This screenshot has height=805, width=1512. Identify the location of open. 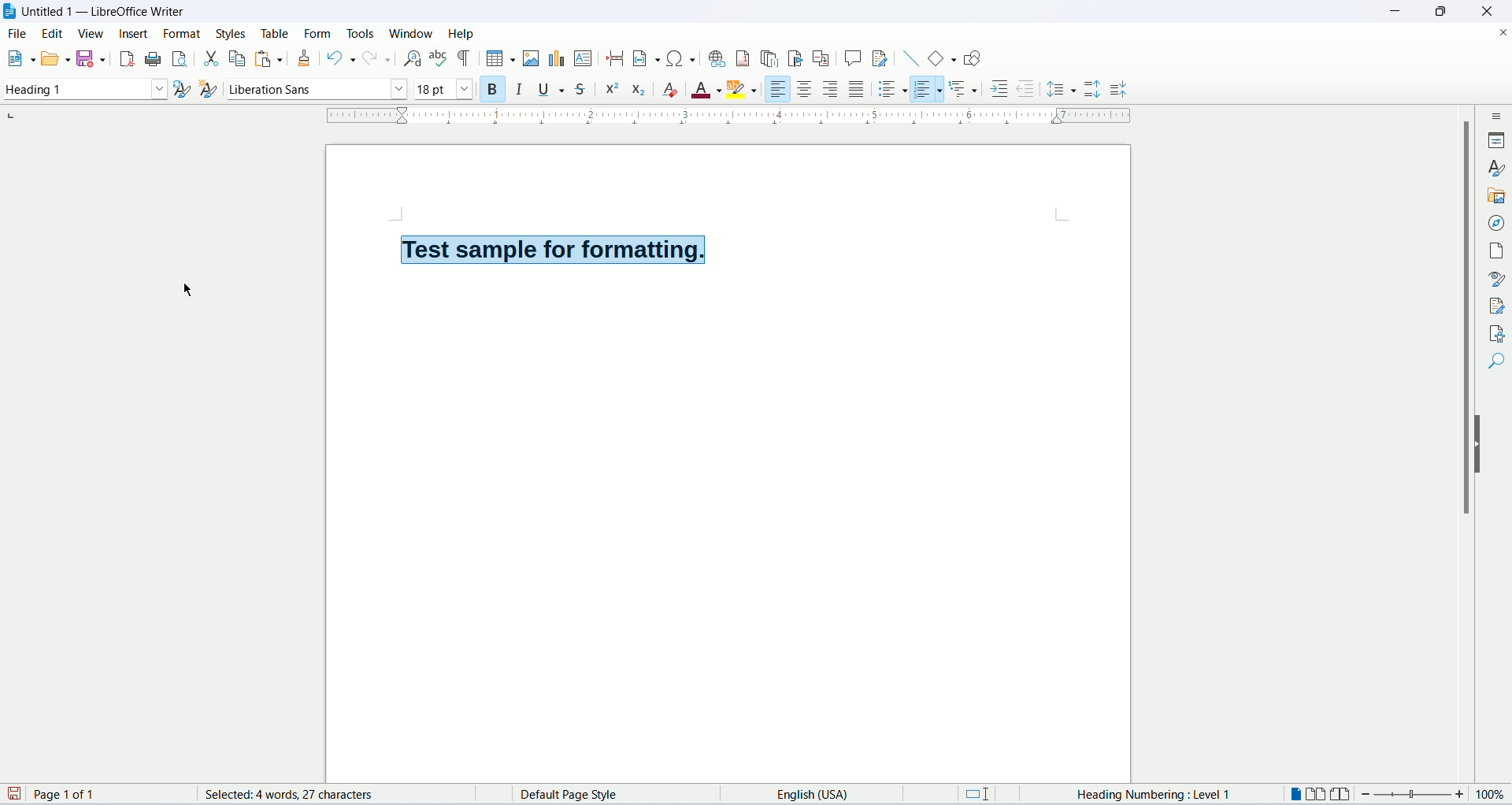
(54, 59).